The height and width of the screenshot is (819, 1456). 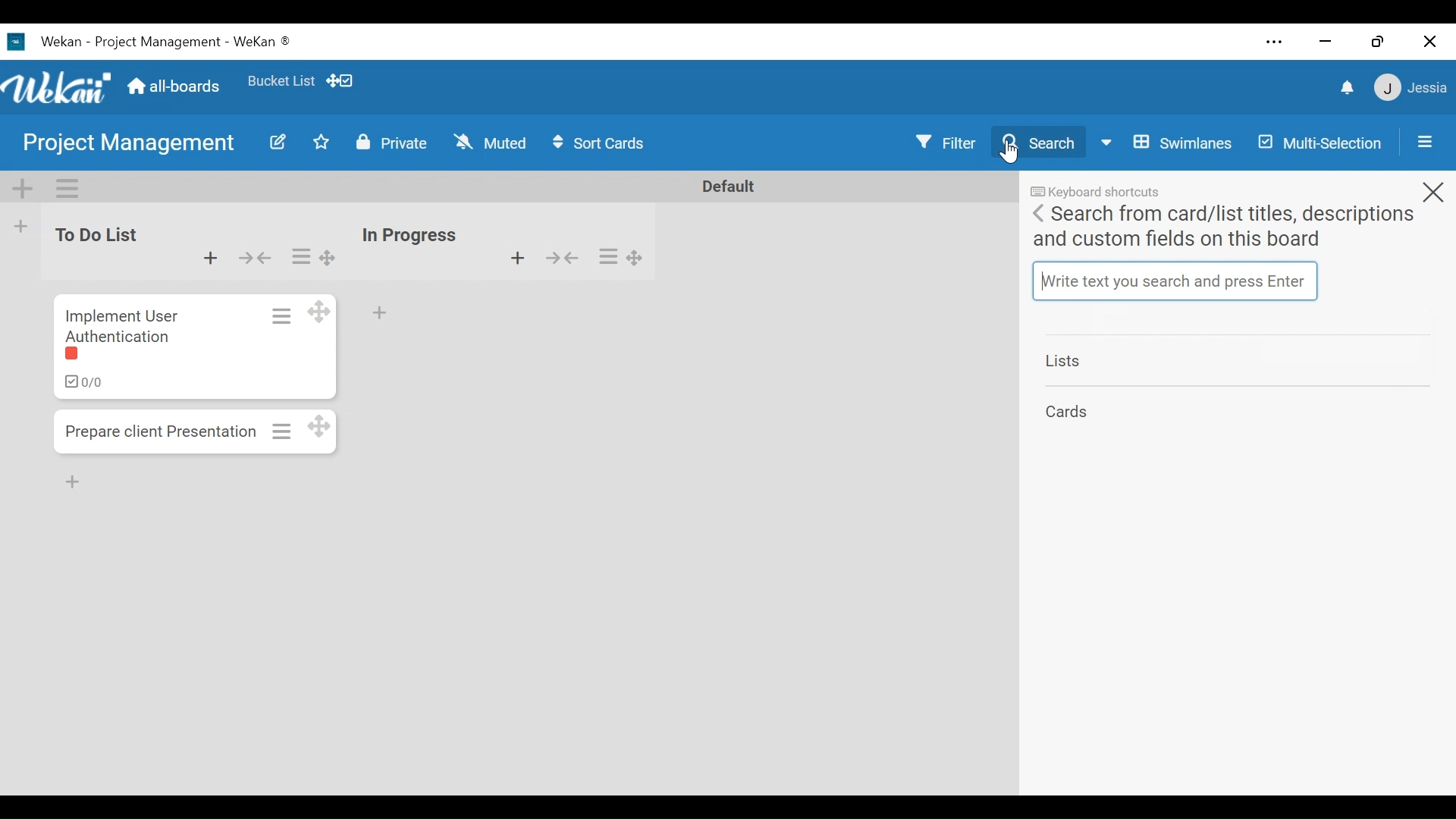 I want to click on Card, so click(x=1068, y=409).